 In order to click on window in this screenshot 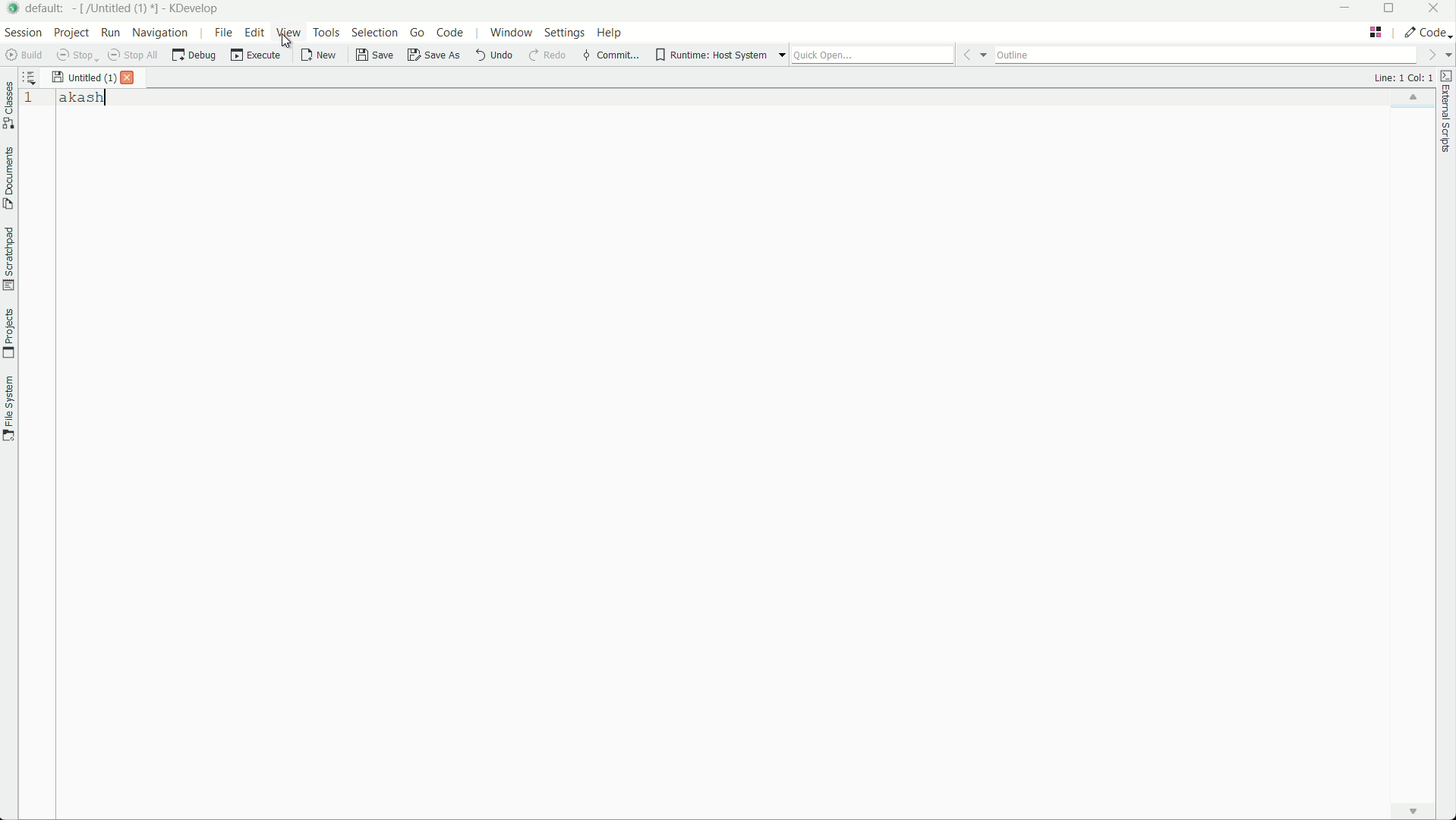, I will do `click(511, 32)`.